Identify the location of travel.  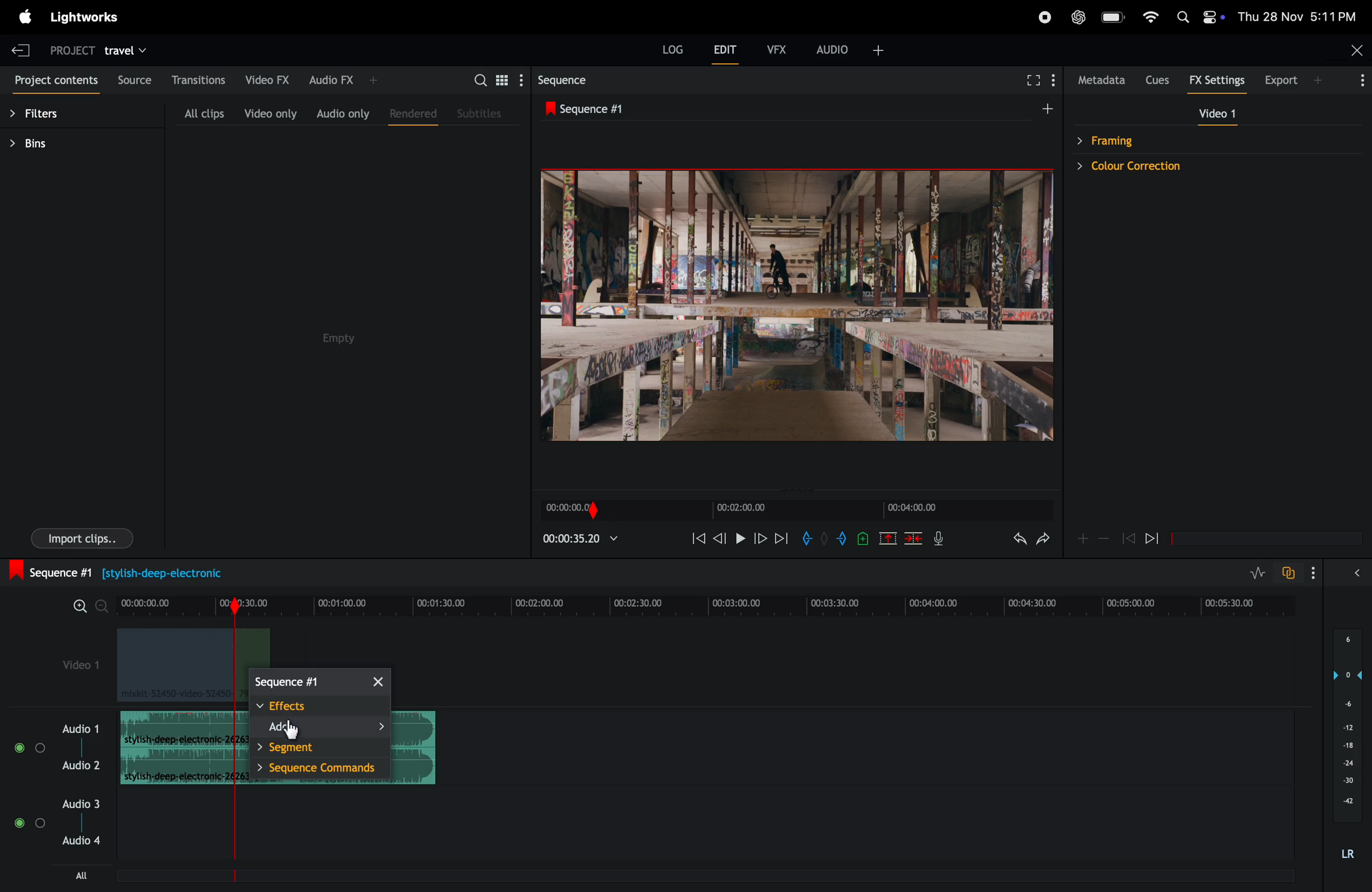
(137, 50).